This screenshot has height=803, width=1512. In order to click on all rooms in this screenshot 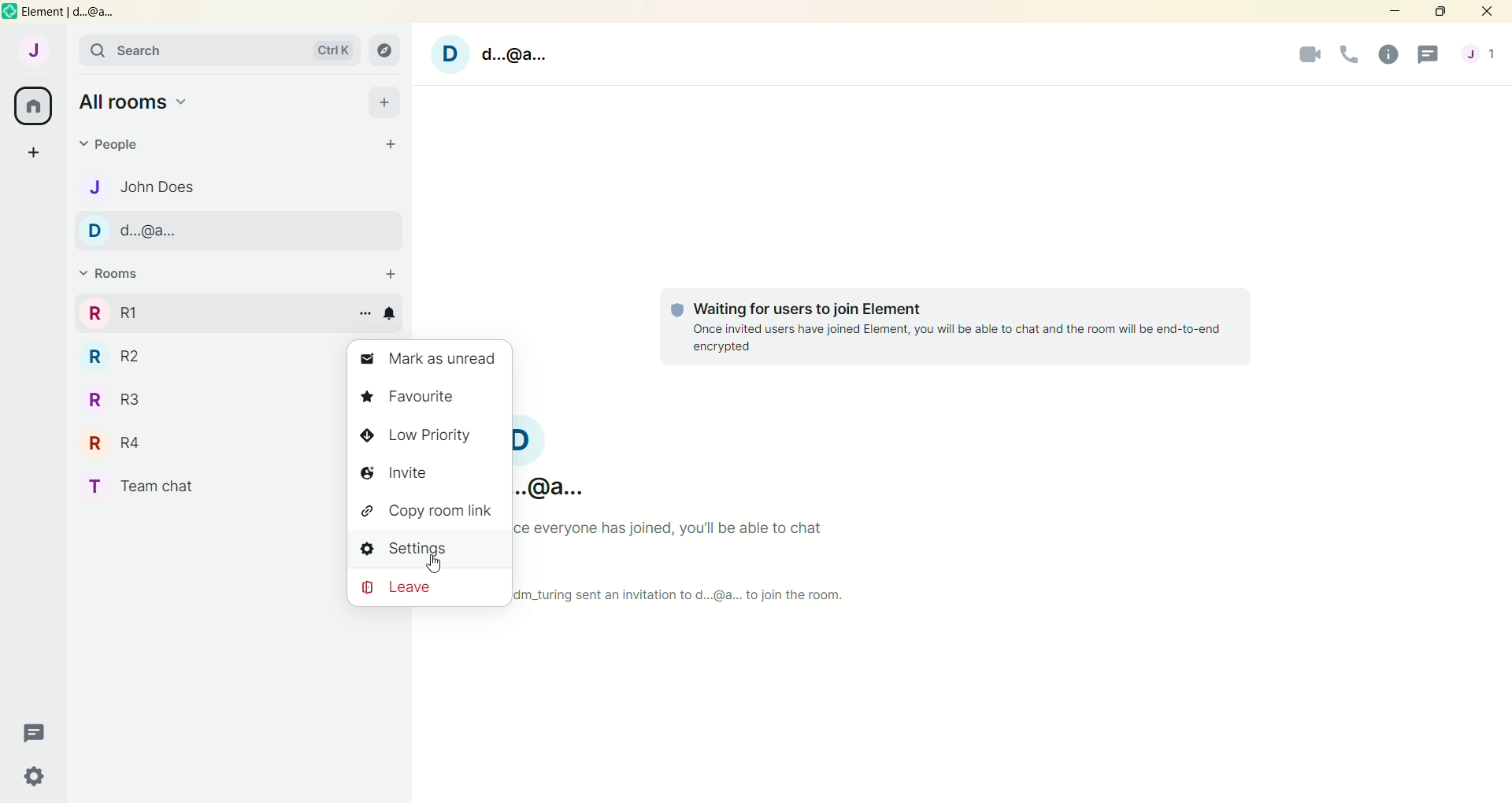, I will do `click(134, 101)`.